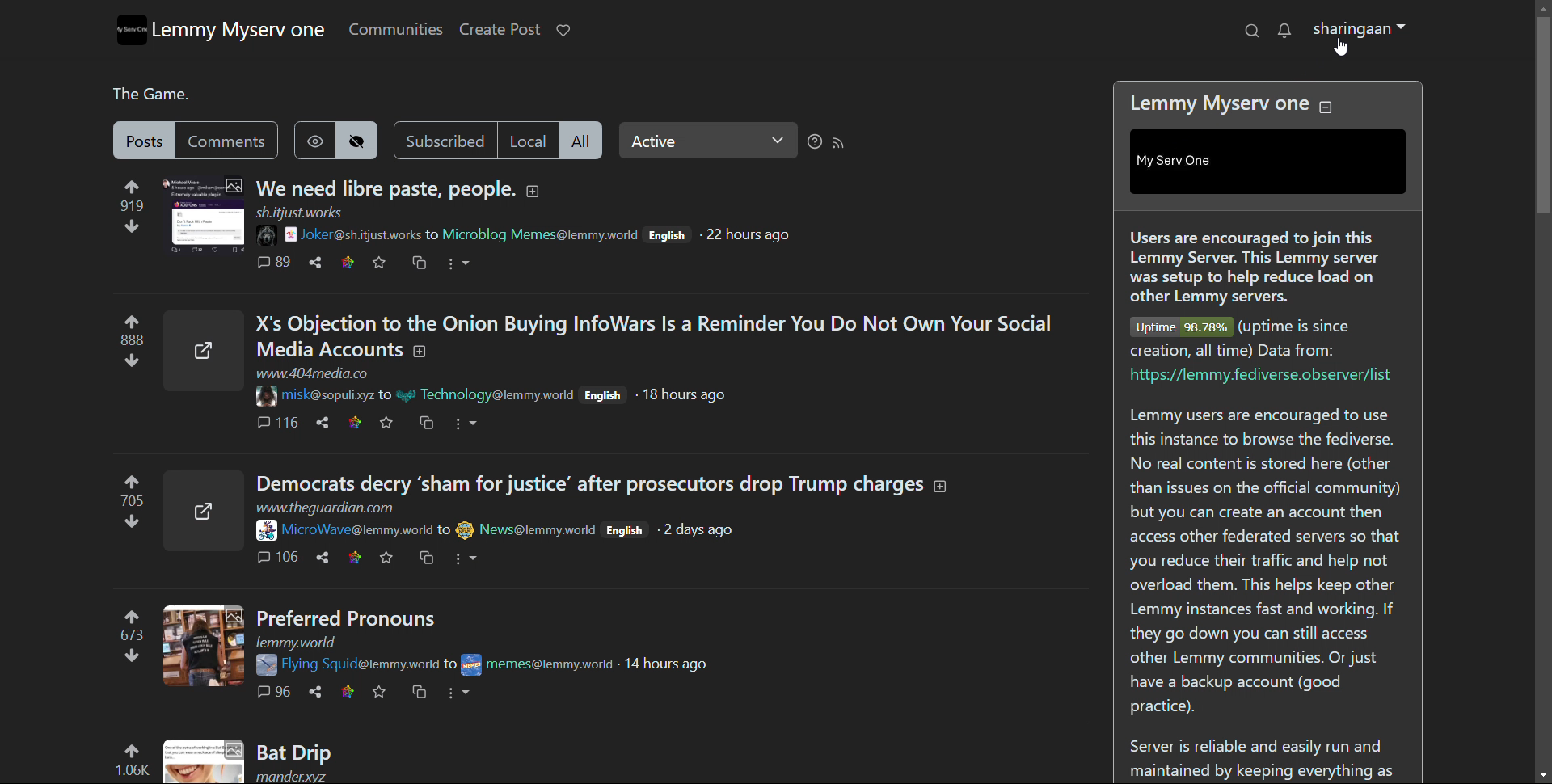  I want to click on 116 comments, so click(280, 421).